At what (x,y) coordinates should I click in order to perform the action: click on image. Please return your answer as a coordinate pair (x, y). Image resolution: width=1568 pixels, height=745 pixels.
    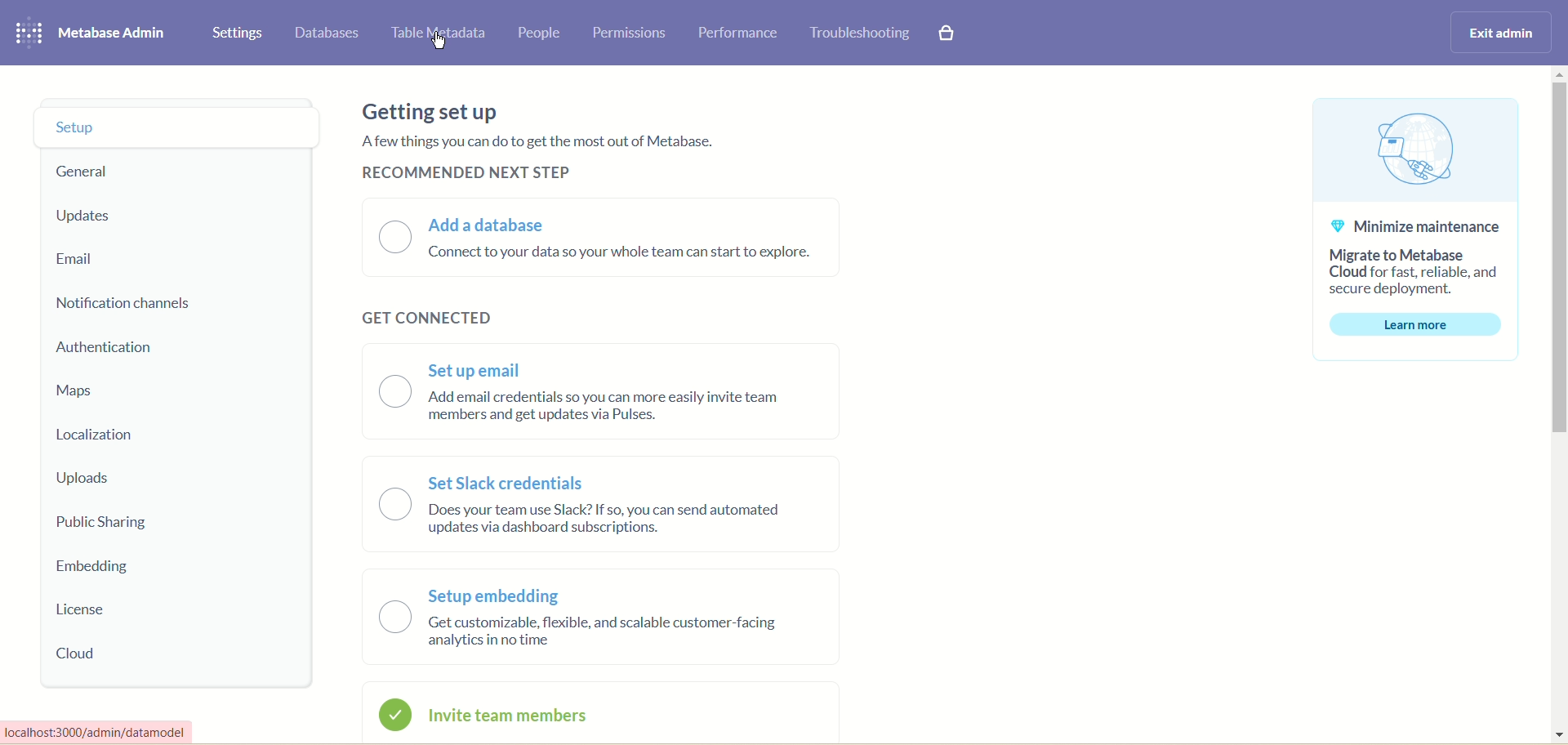
    Looking at the image, I should click on (1420, 150).